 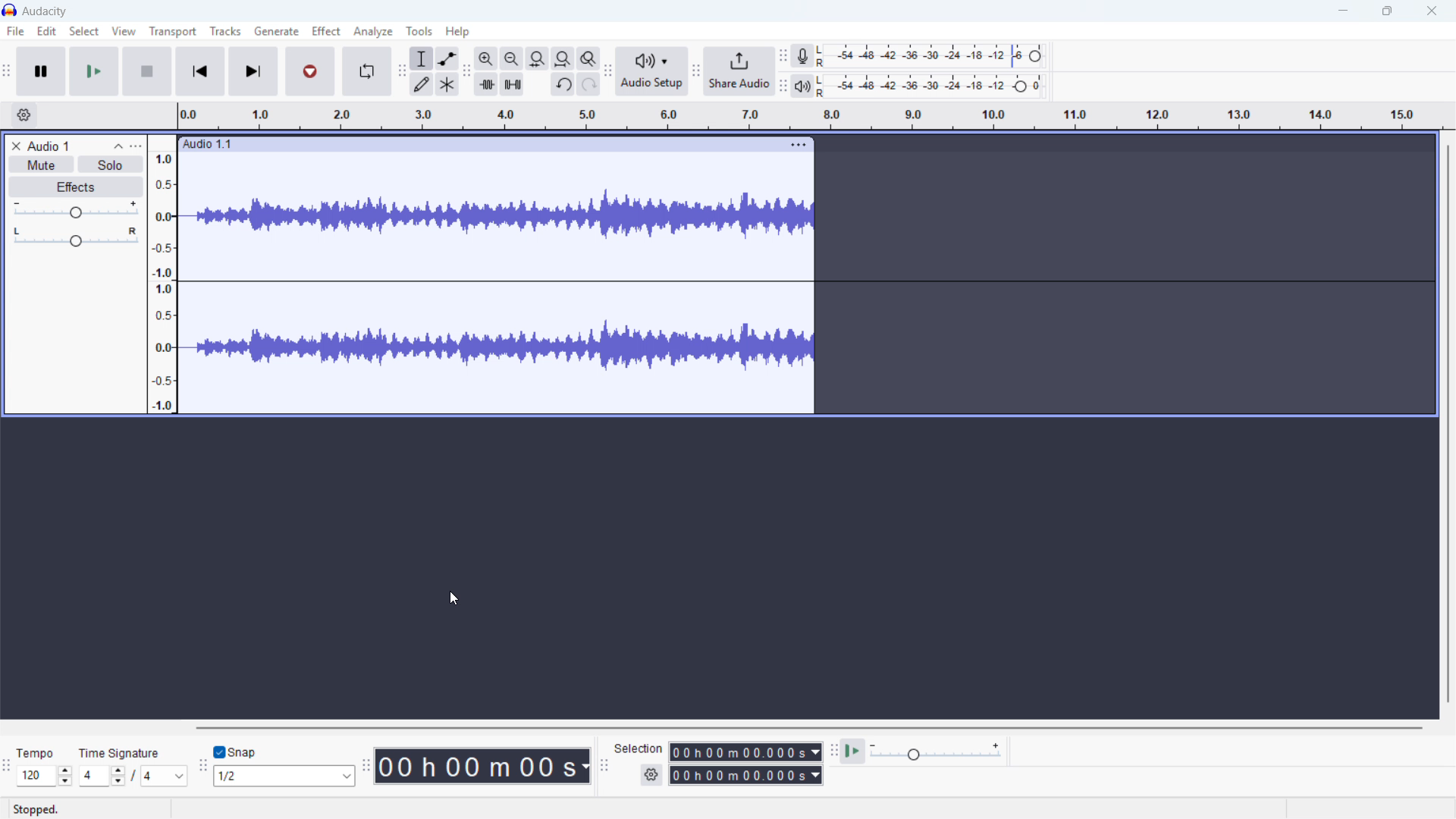 I want to click on Timeline settings , so click(x=22, y=115).